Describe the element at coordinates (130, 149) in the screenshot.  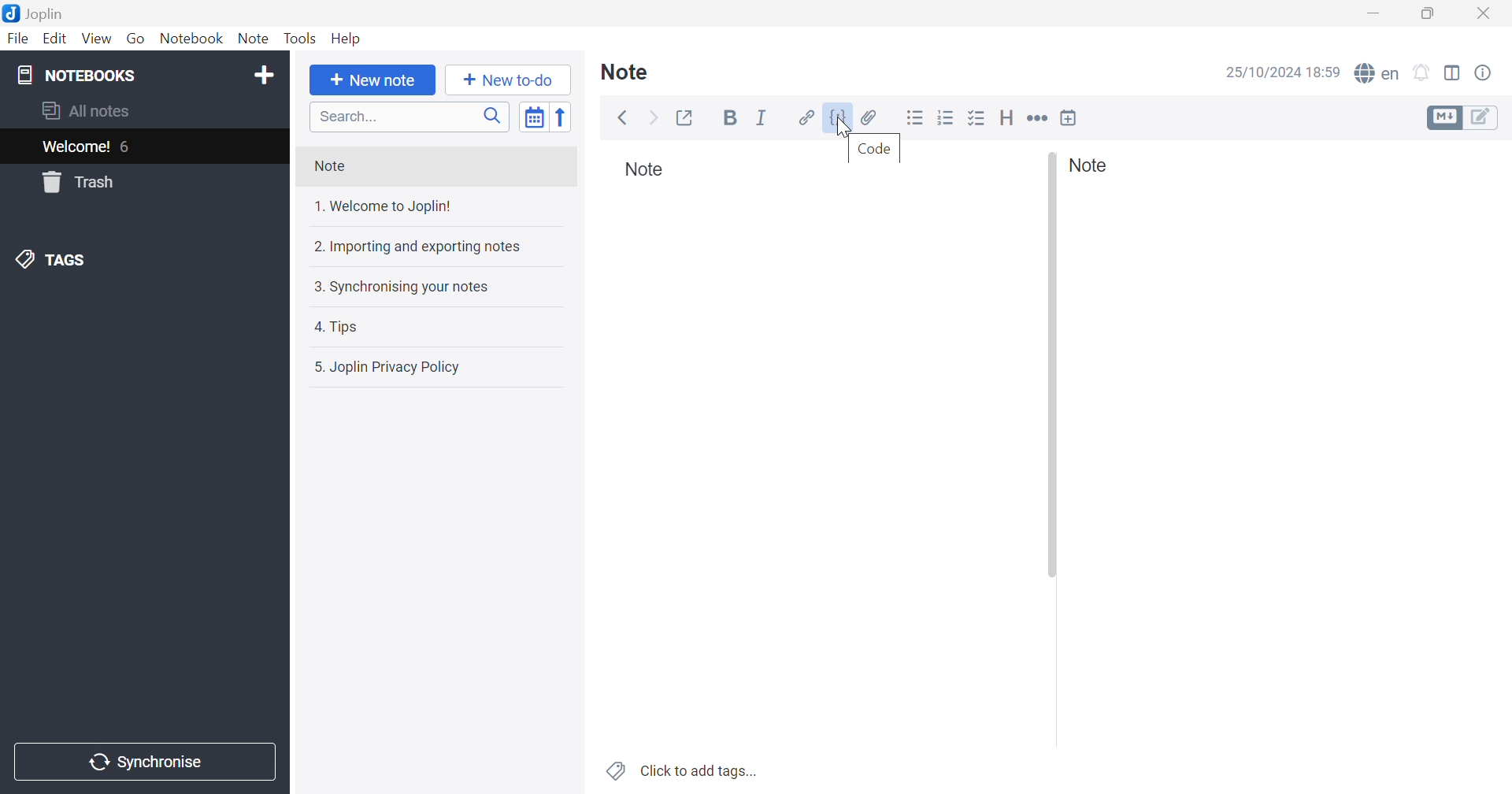
I see `6` at that location.